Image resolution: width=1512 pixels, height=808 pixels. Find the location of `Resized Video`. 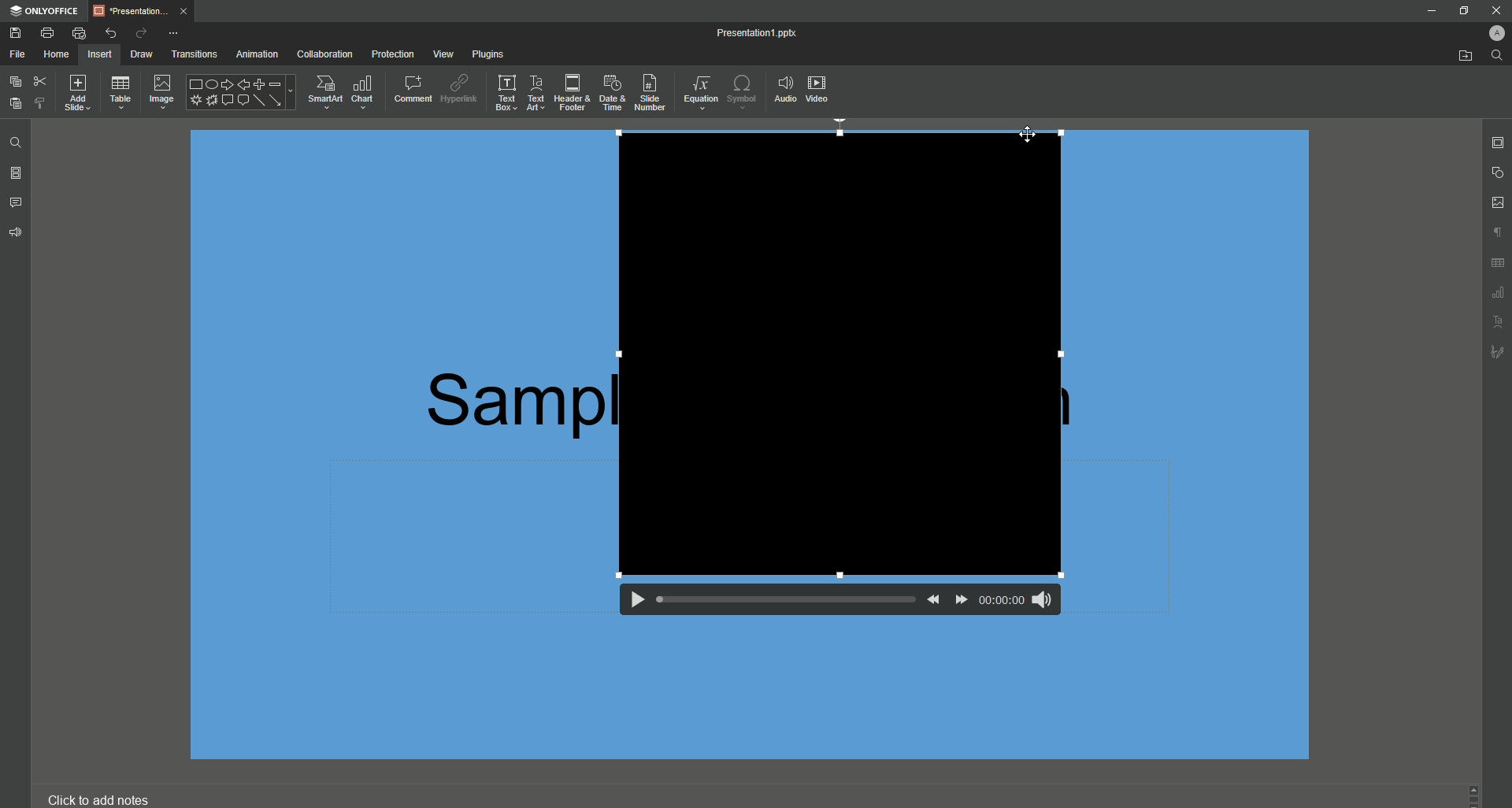

Resized Video is located at coordinates (840, 353).